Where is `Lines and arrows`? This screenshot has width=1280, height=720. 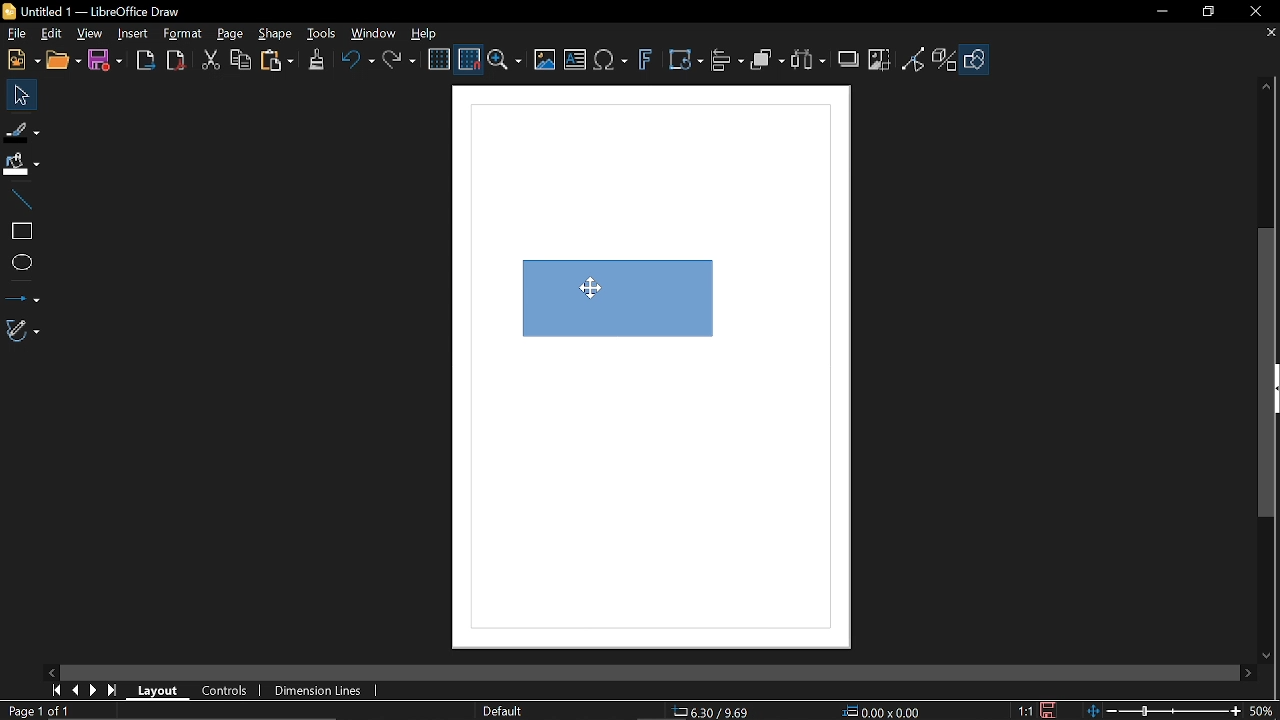 Lines and arrows is located at coordinates (21, 296).